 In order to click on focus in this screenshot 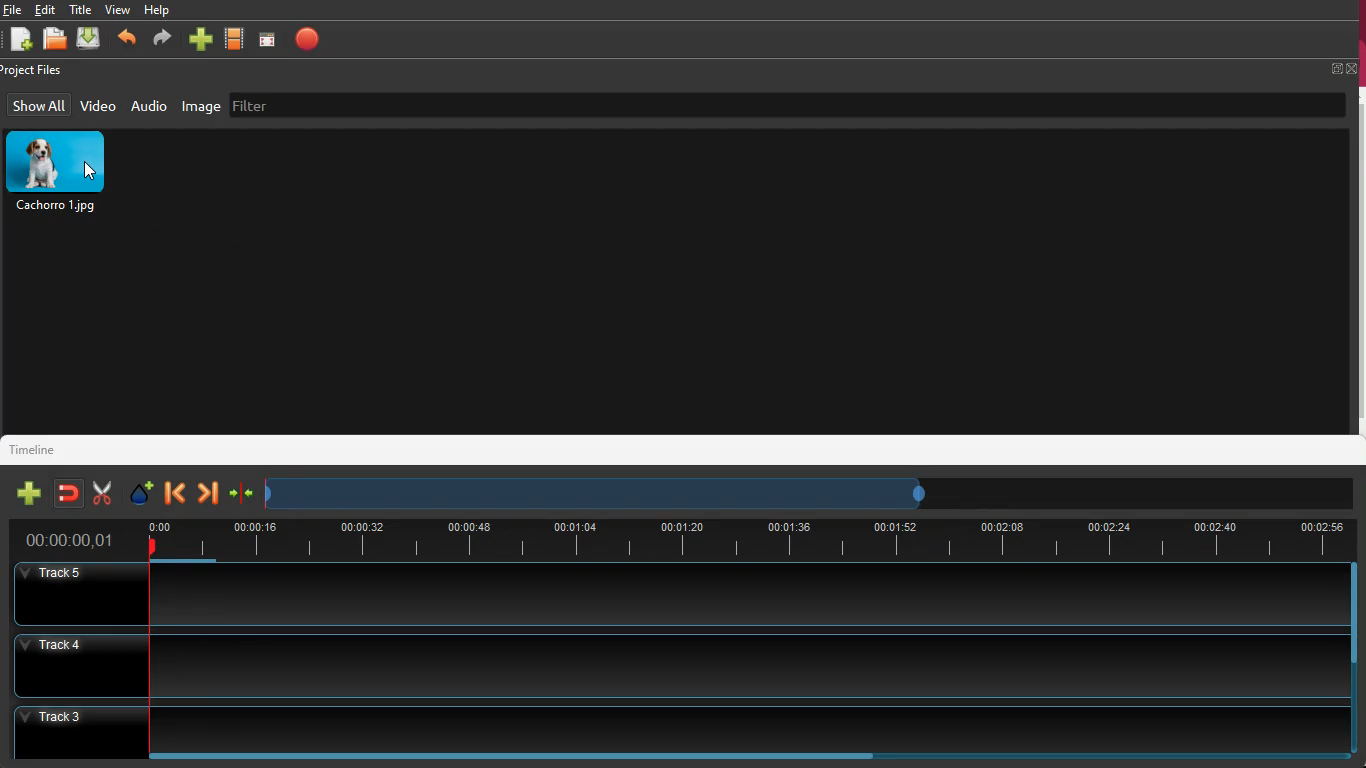, I will do `click(268, 39)`.